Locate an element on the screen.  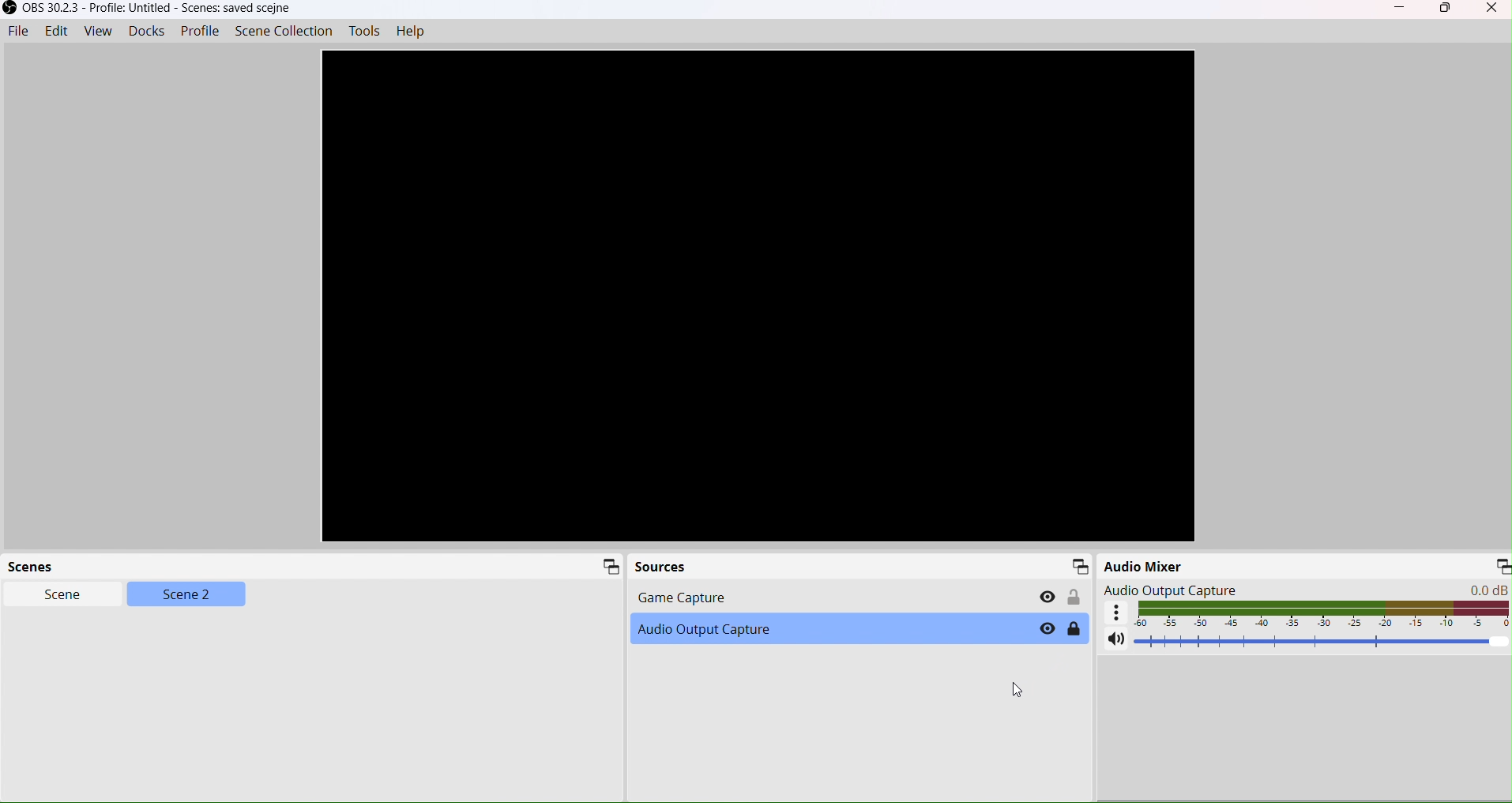
Hide is located at coordinates (1039, 629).